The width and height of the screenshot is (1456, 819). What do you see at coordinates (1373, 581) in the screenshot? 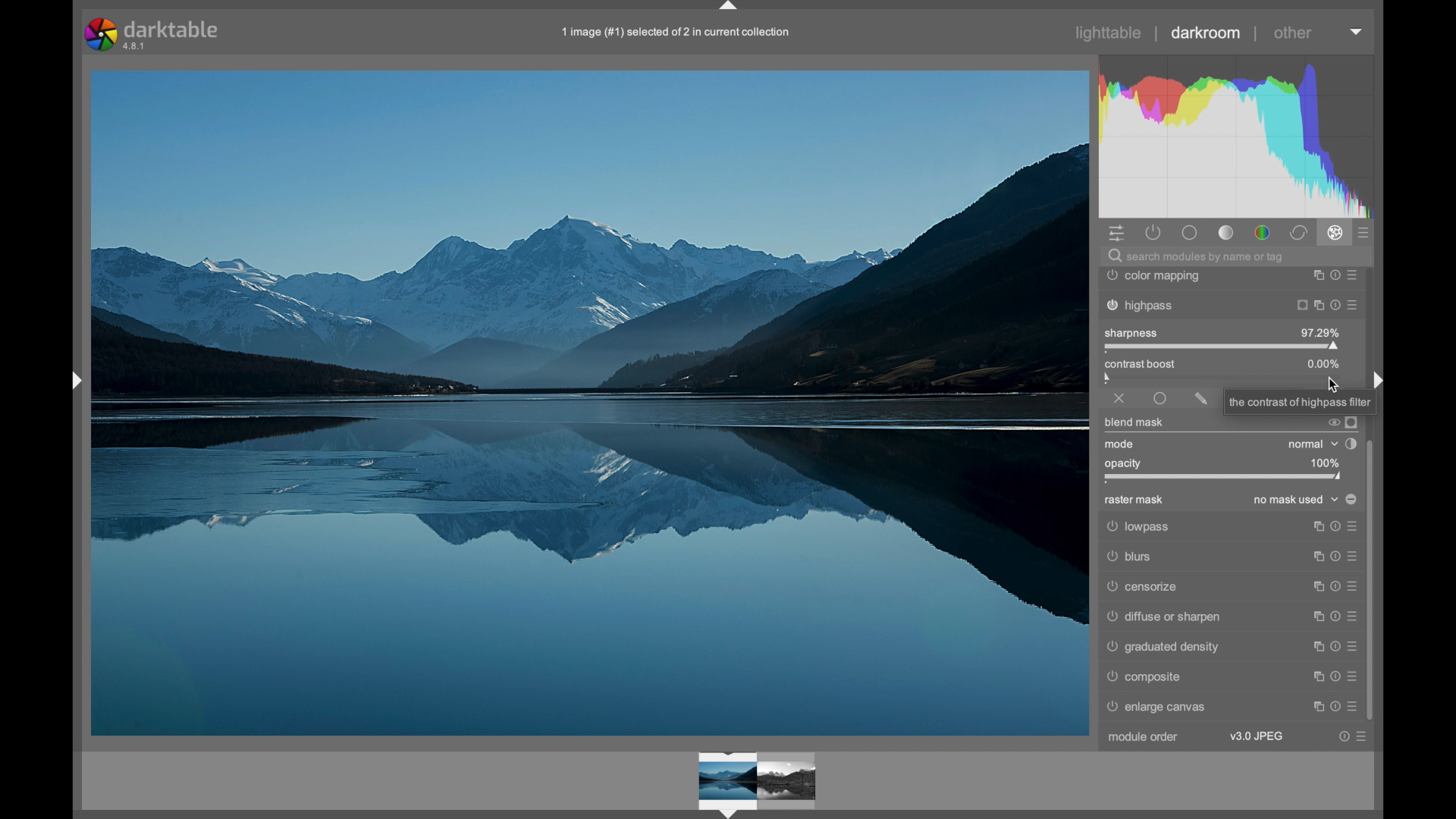
I see `scroll box` at bounding box center [1373, 581].